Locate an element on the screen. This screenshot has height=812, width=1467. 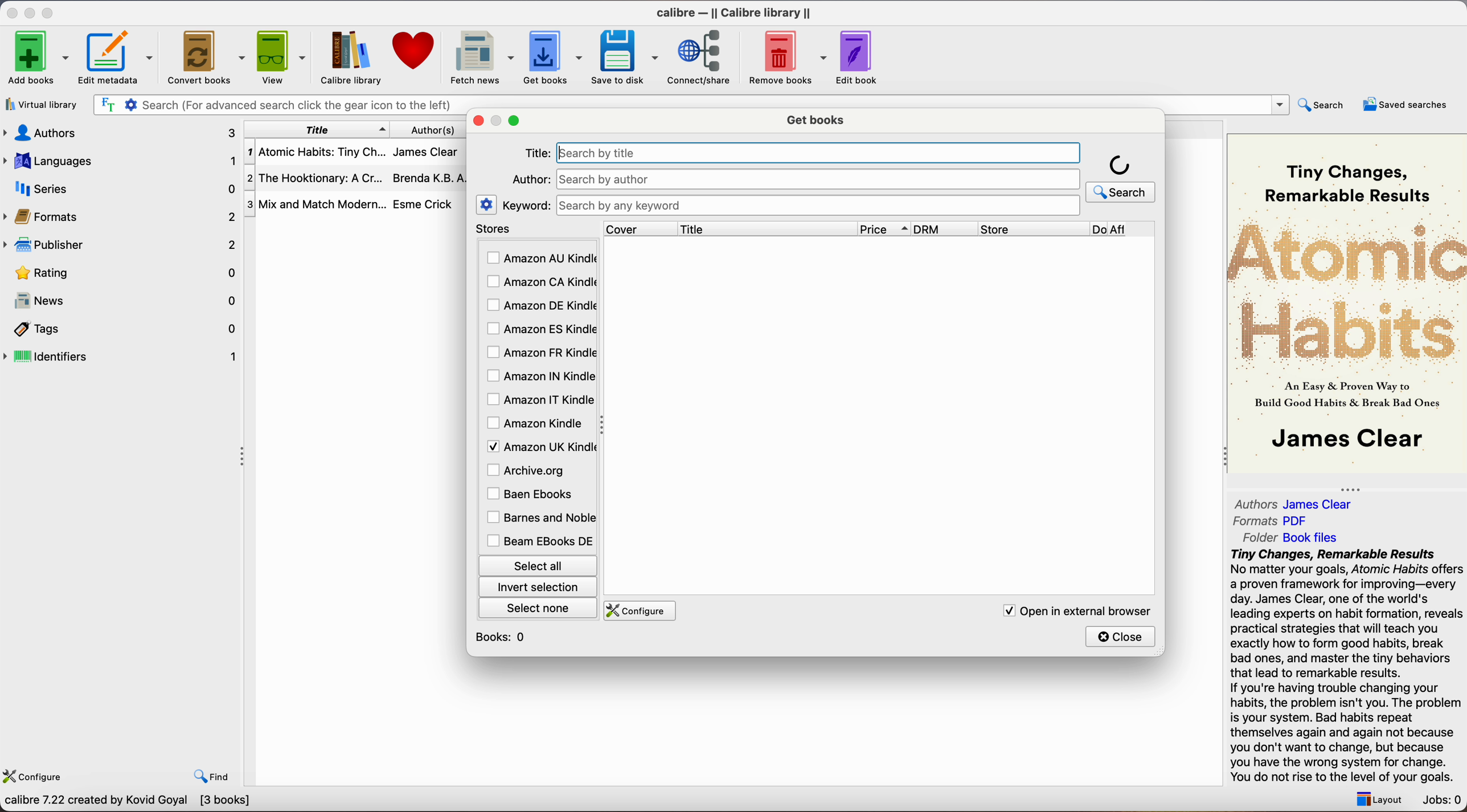
Amazon UK Kindle is located at coordinates (539, 446).